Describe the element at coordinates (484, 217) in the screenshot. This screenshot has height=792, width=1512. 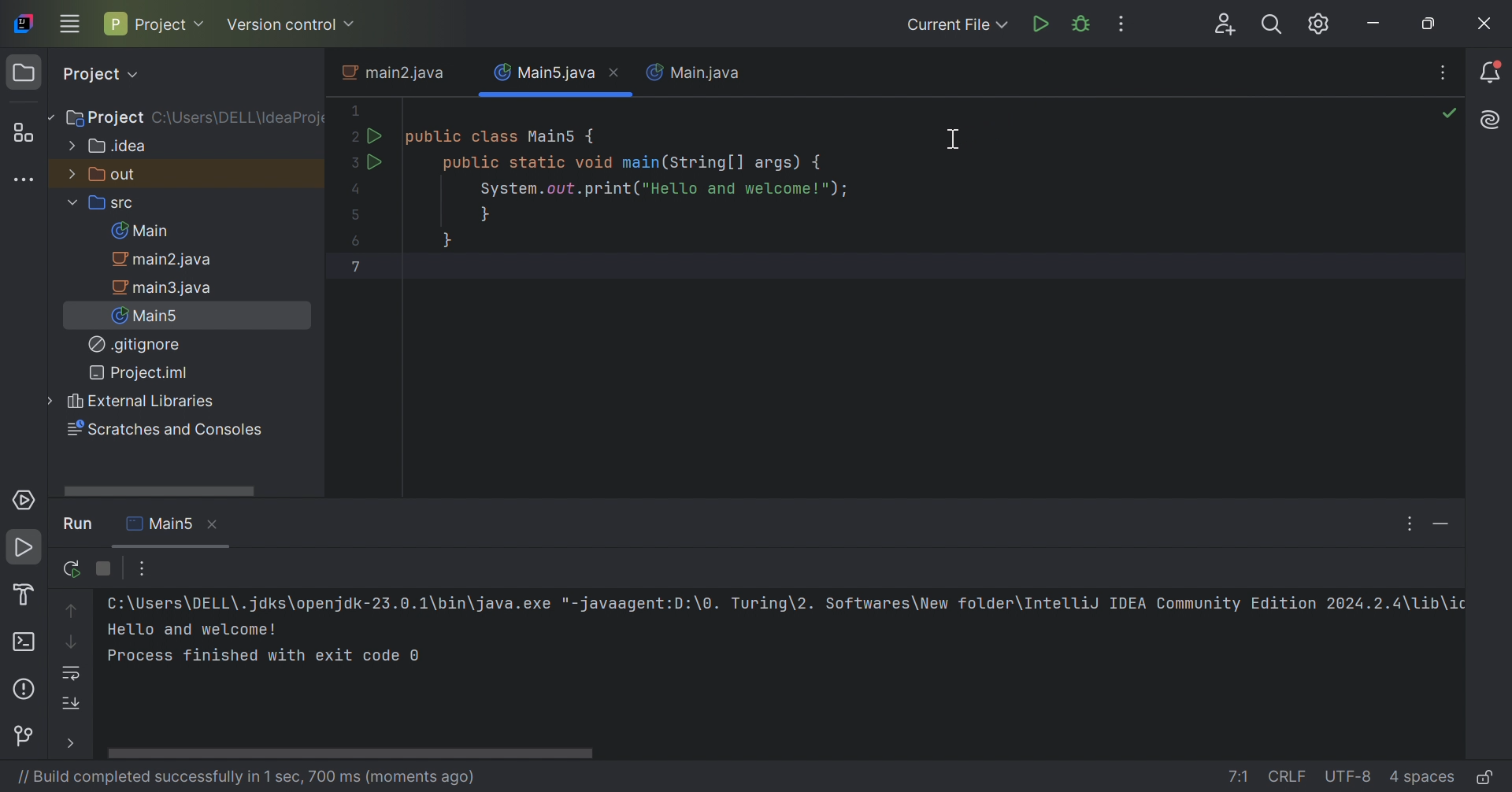
I see `}` at that location.